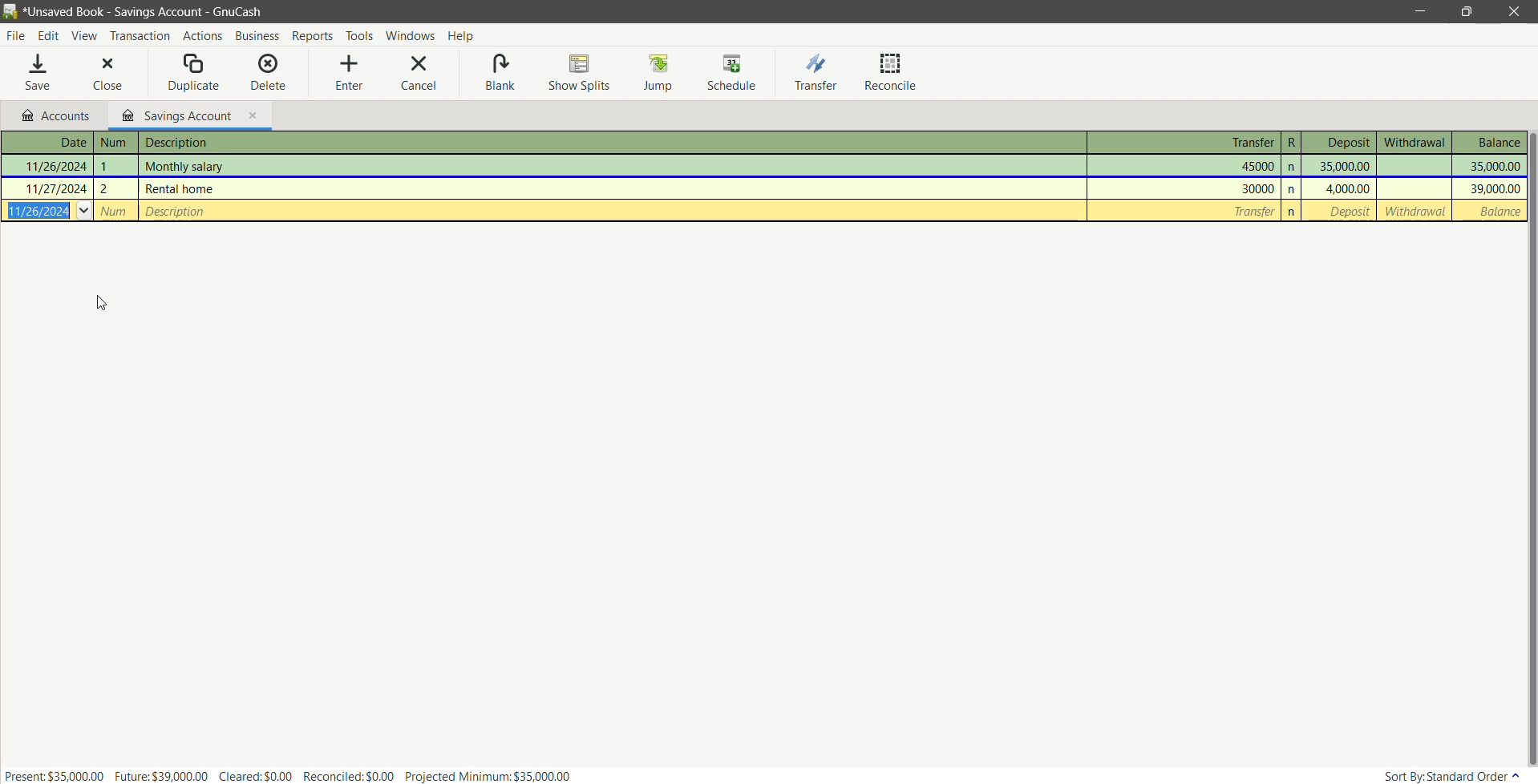  I want to click on Reports, so click(313, 34).